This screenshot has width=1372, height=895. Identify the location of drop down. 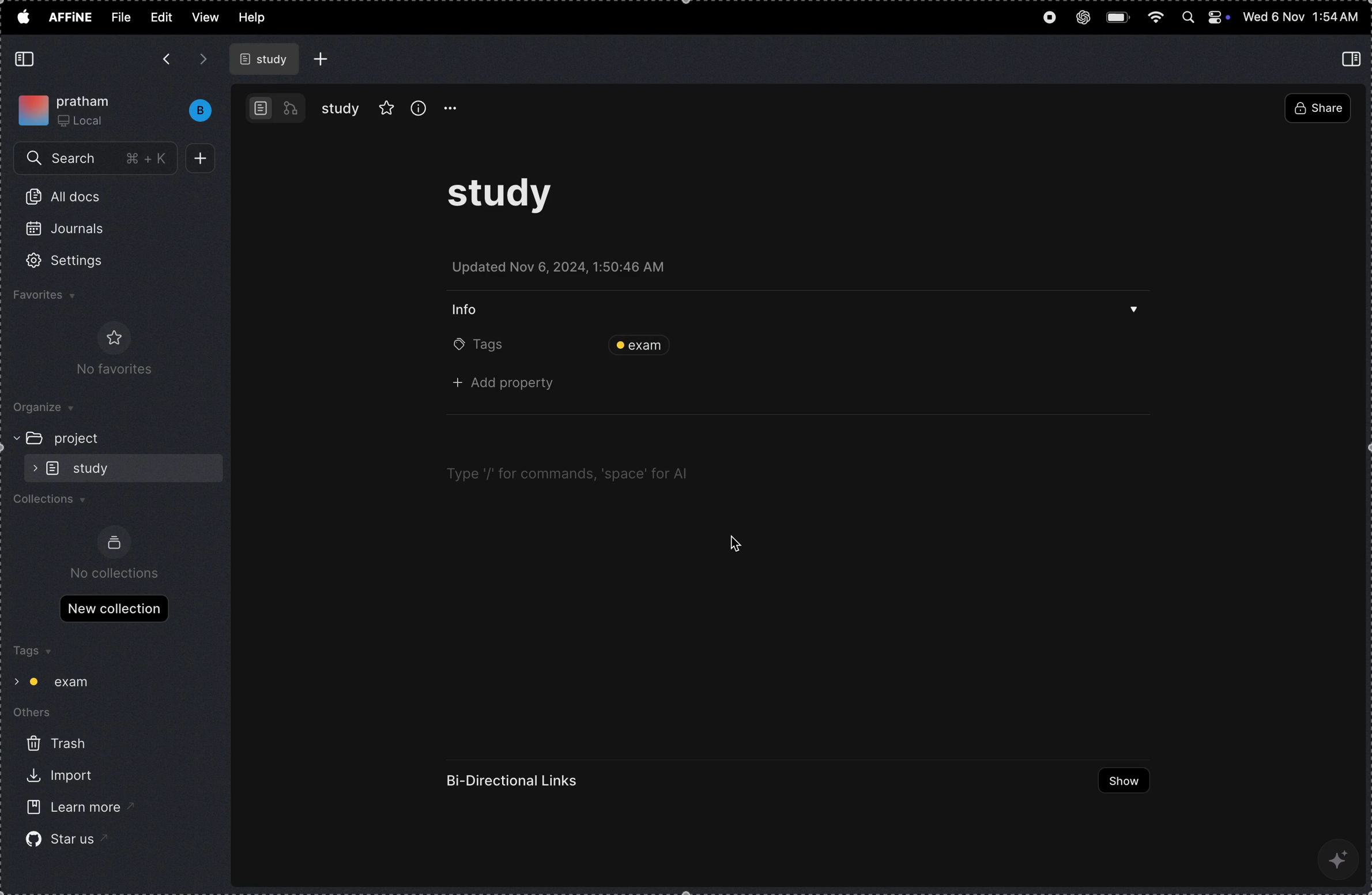
(1134, 312).